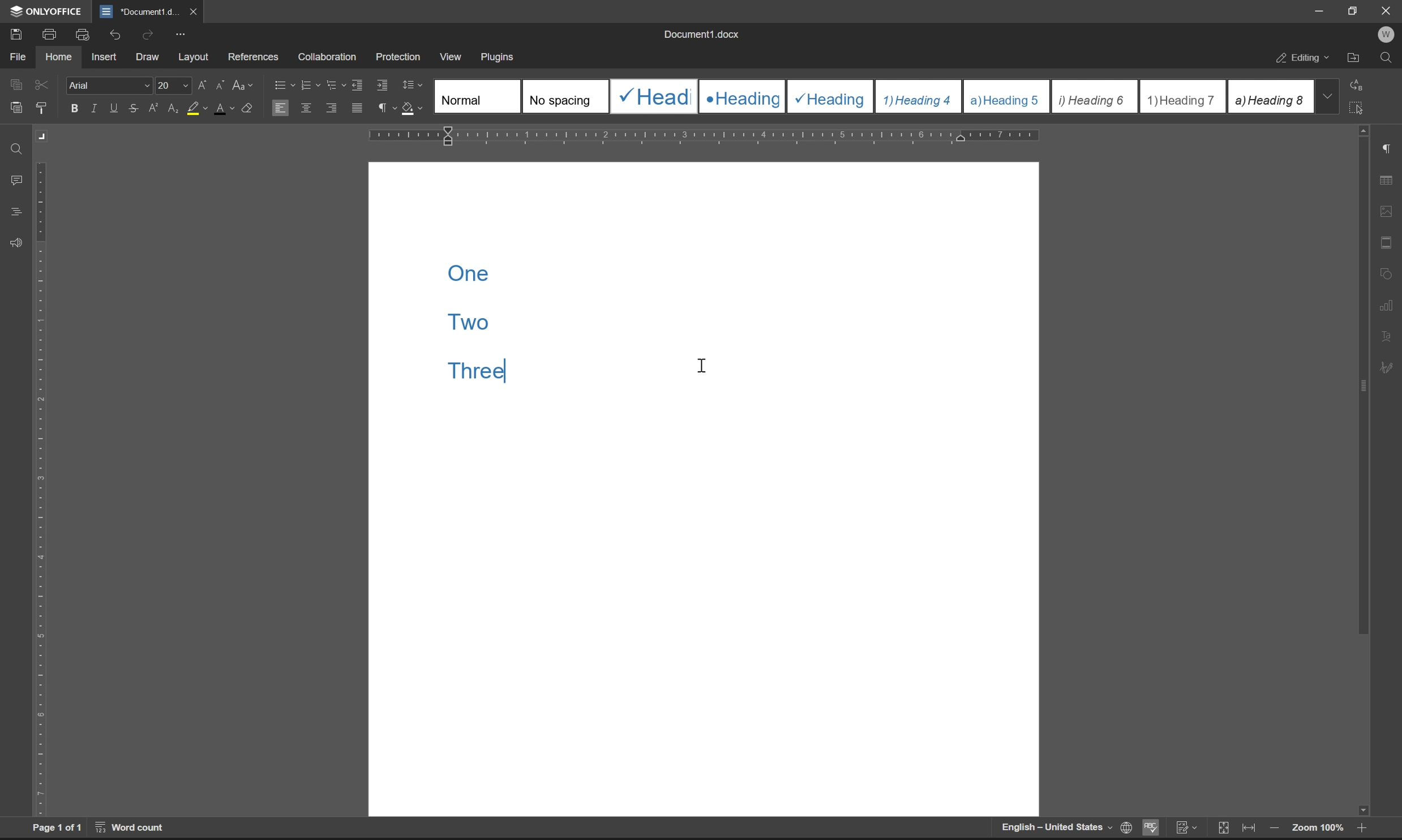 This screenshot has width=1402, height=840. I want to click on image settings, so click(1386, 208).